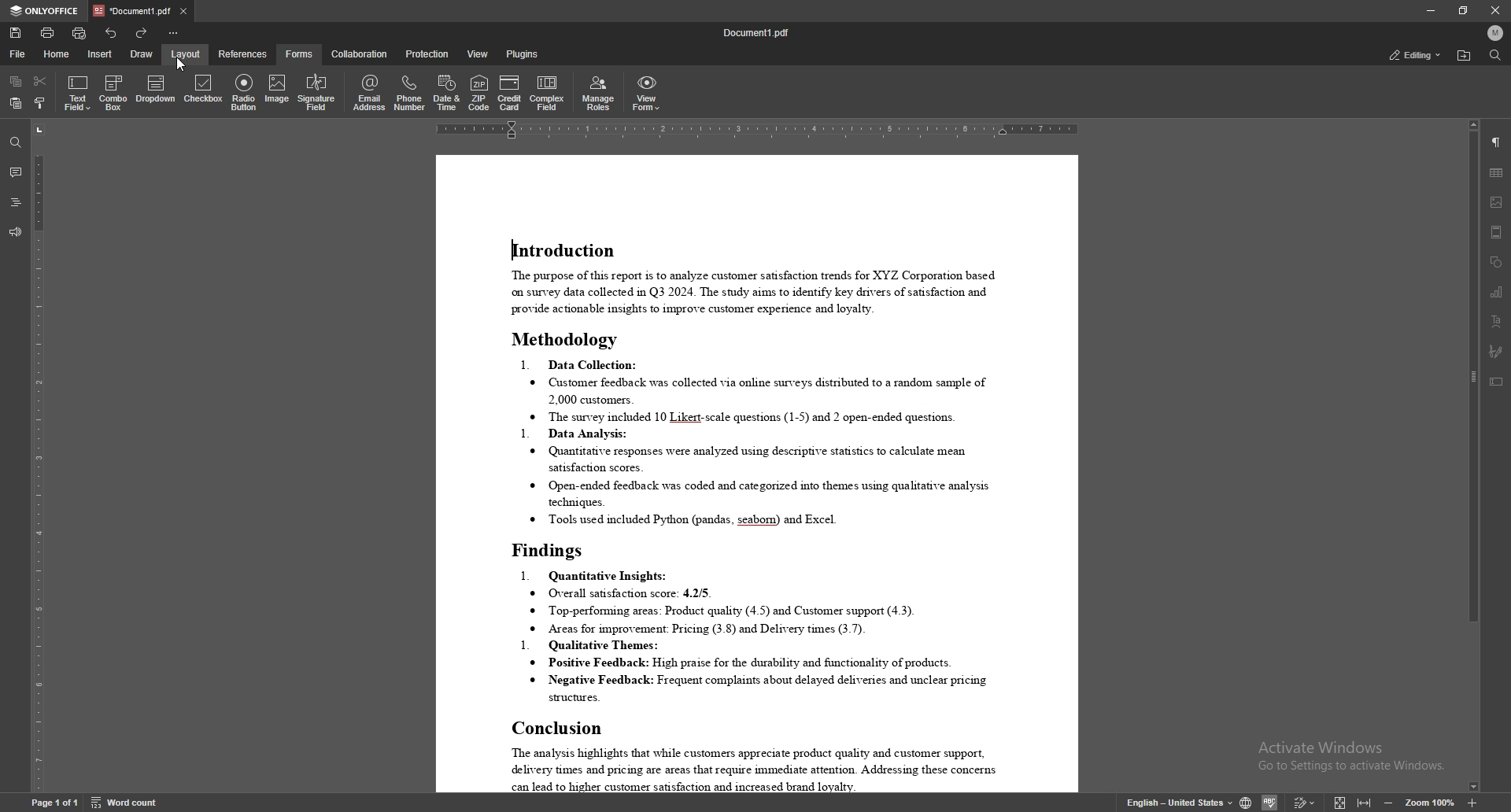 The image size is (1511, 812). I want to click on plugins, so click(525, 54).